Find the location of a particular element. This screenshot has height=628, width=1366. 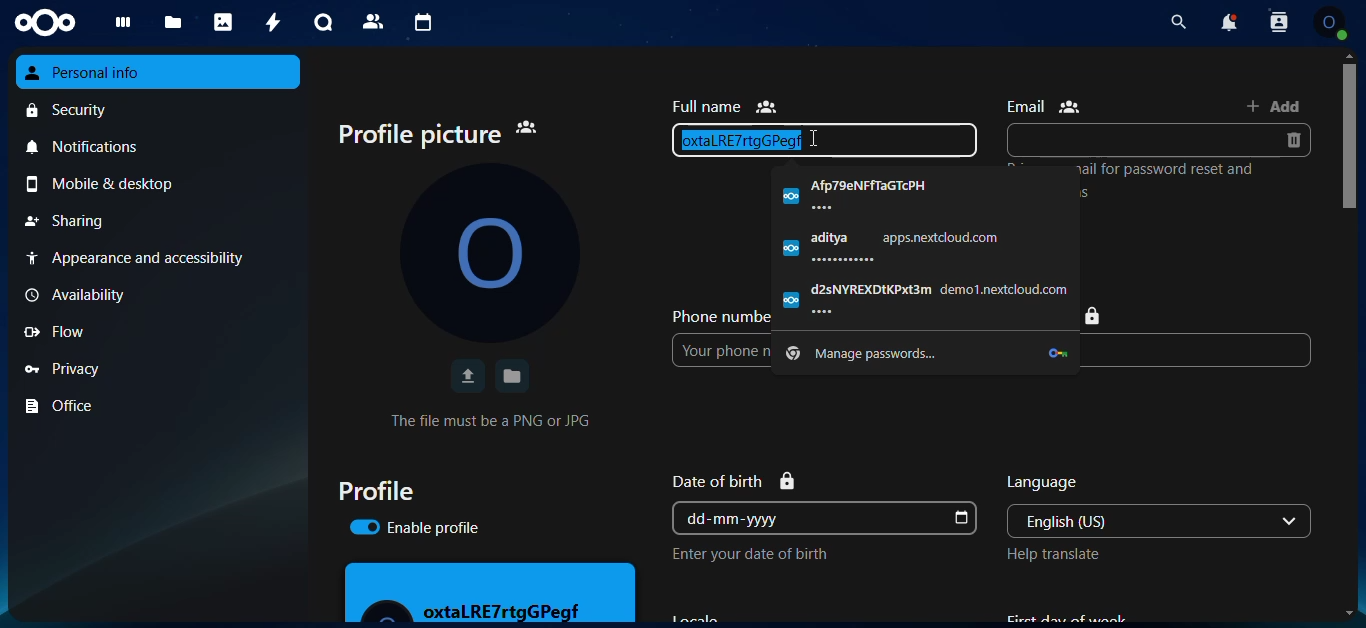

availability is located at coordinates (155, 295).